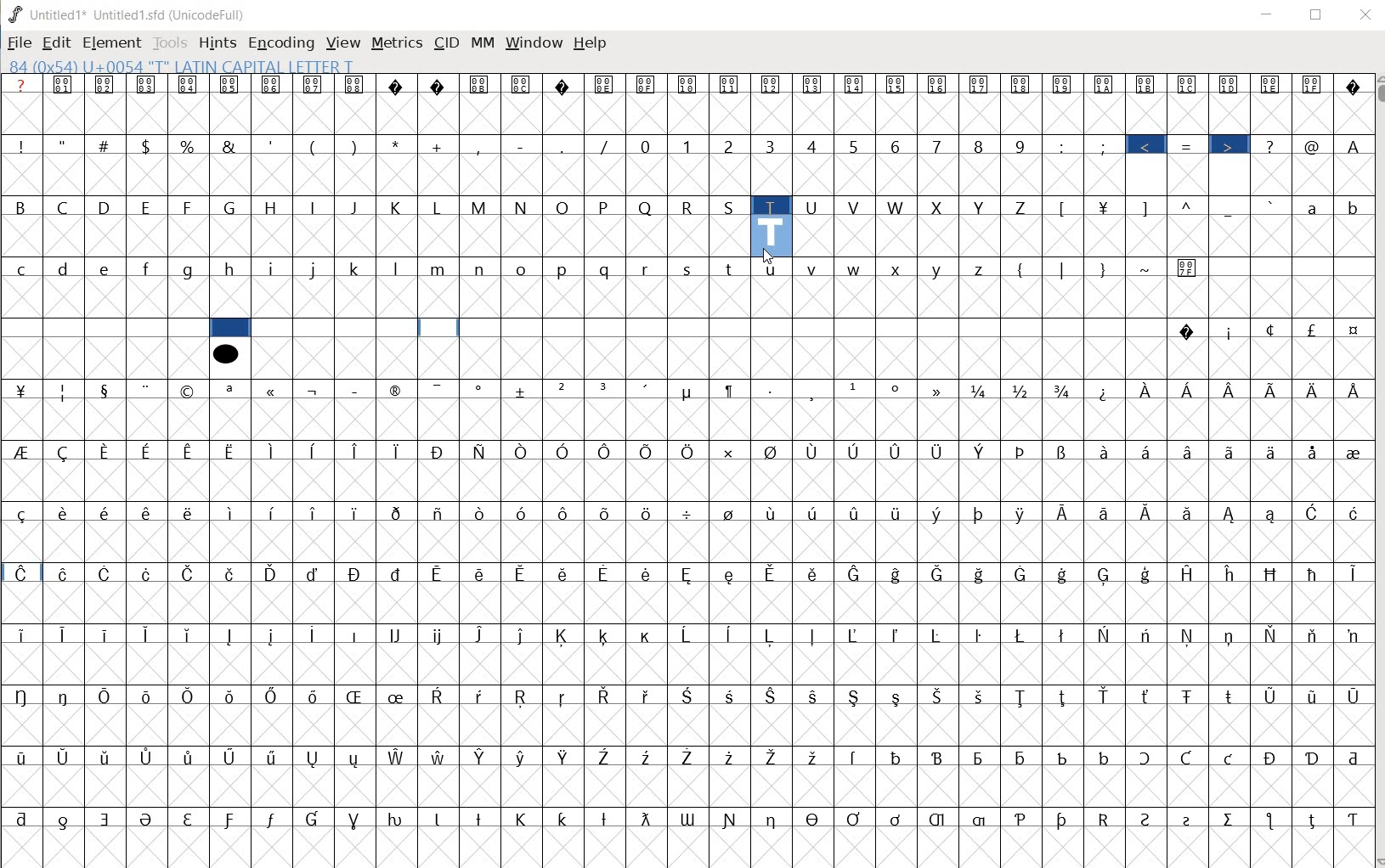 This screenshot has height=868, width=1385. Describe the element at coordinates (772, 389) in the screenshot. I see `Symbol` at that location.